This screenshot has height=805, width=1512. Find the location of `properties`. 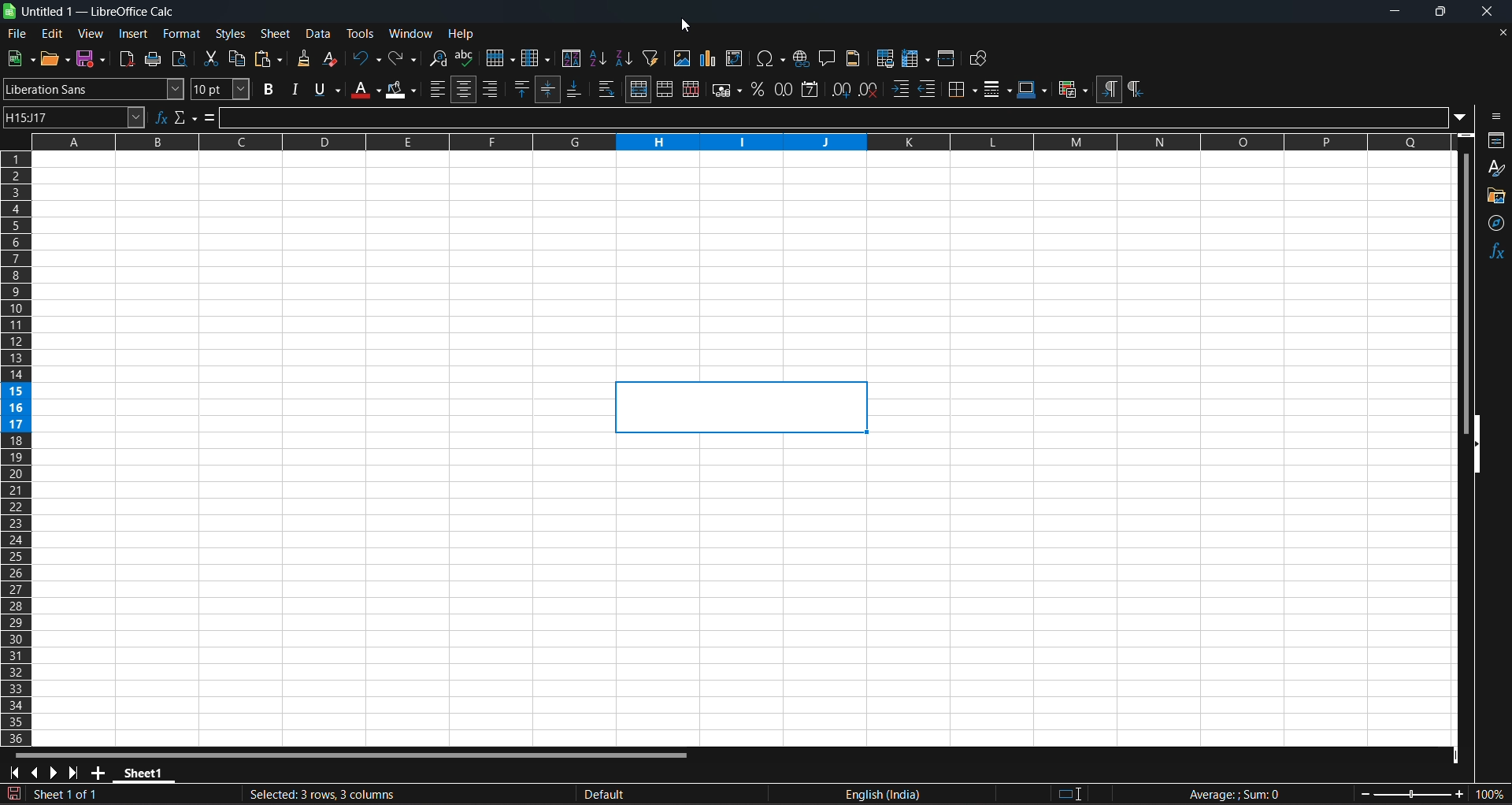

properties is located at coordinates (1493, 141).